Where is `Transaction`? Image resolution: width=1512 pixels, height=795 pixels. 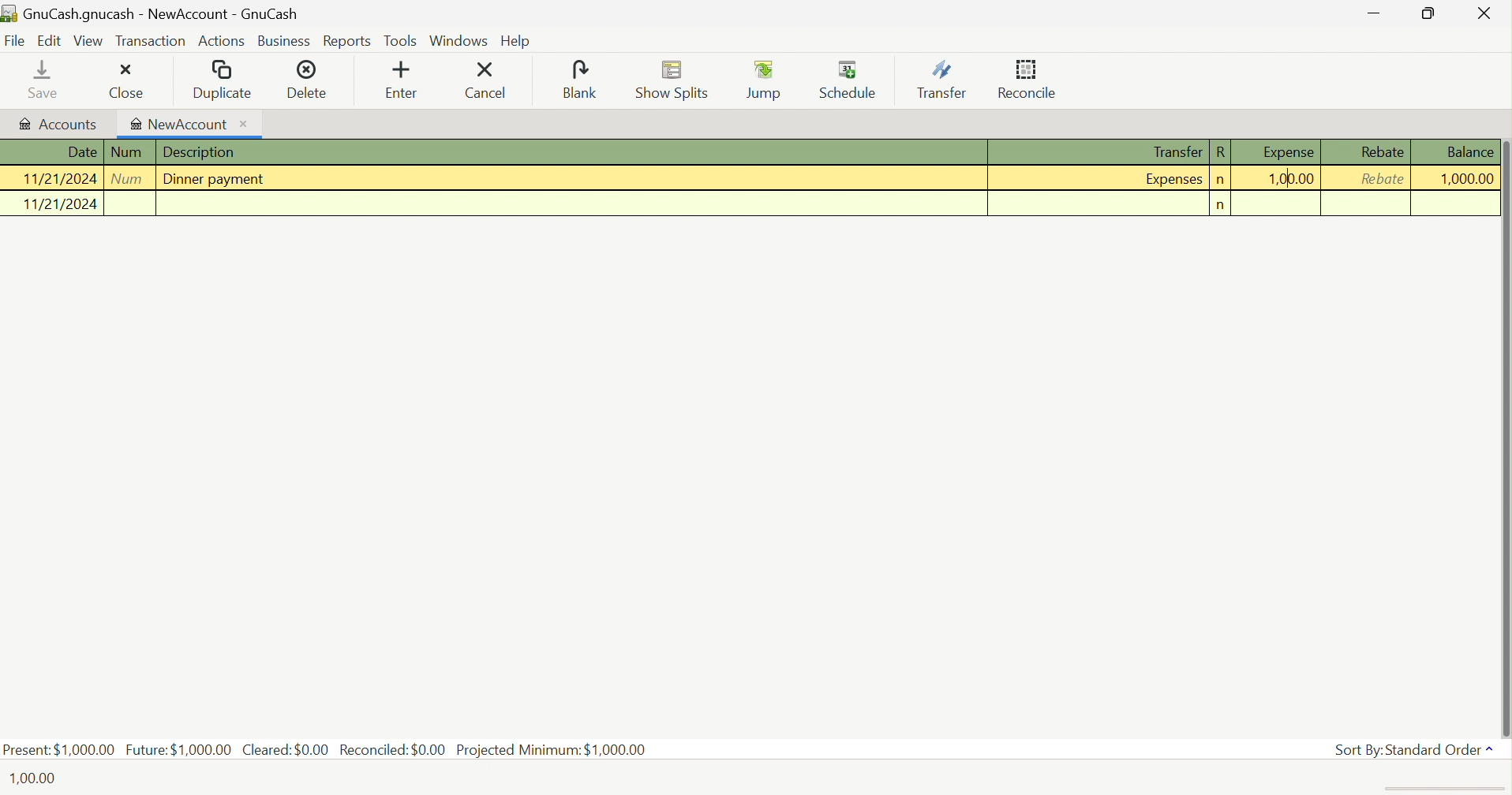
Transaction is located at coordinates (150, 39).